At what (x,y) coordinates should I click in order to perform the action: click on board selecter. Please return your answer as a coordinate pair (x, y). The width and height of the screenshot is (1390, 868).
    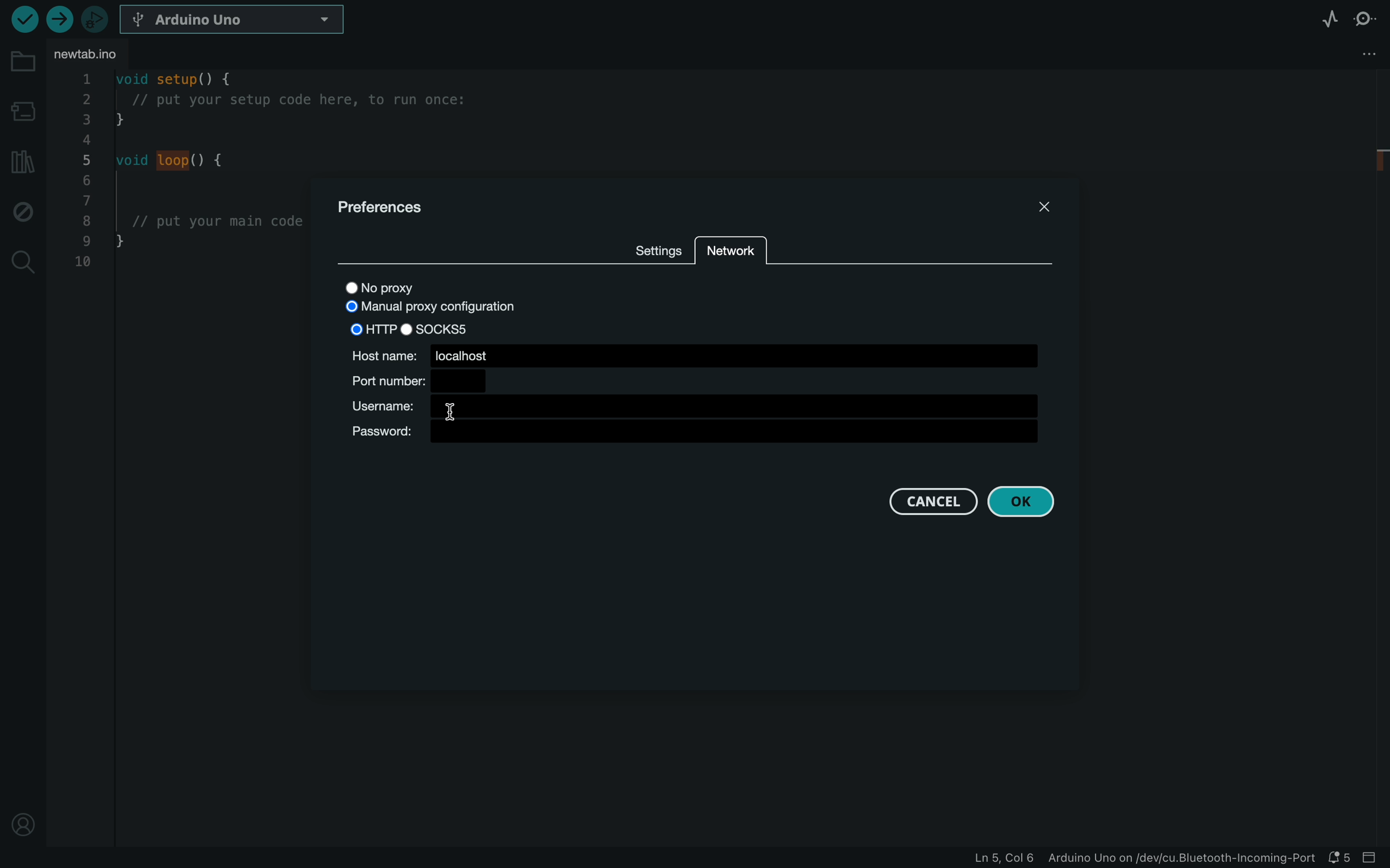
    Looking at the image, I should click on (235, 20).